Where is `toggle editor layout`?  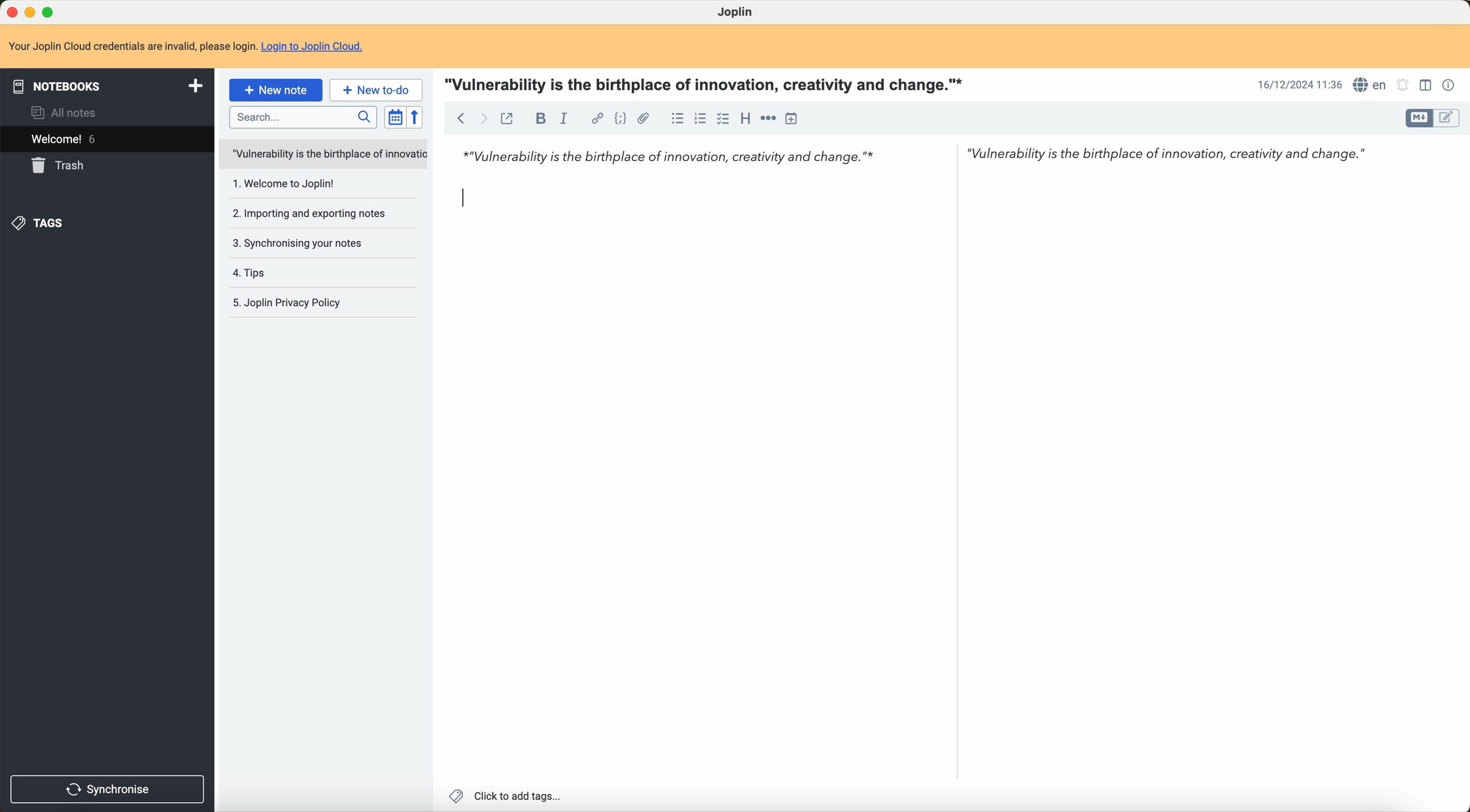 toggle editor layout is located at coordinates (1425, 87).